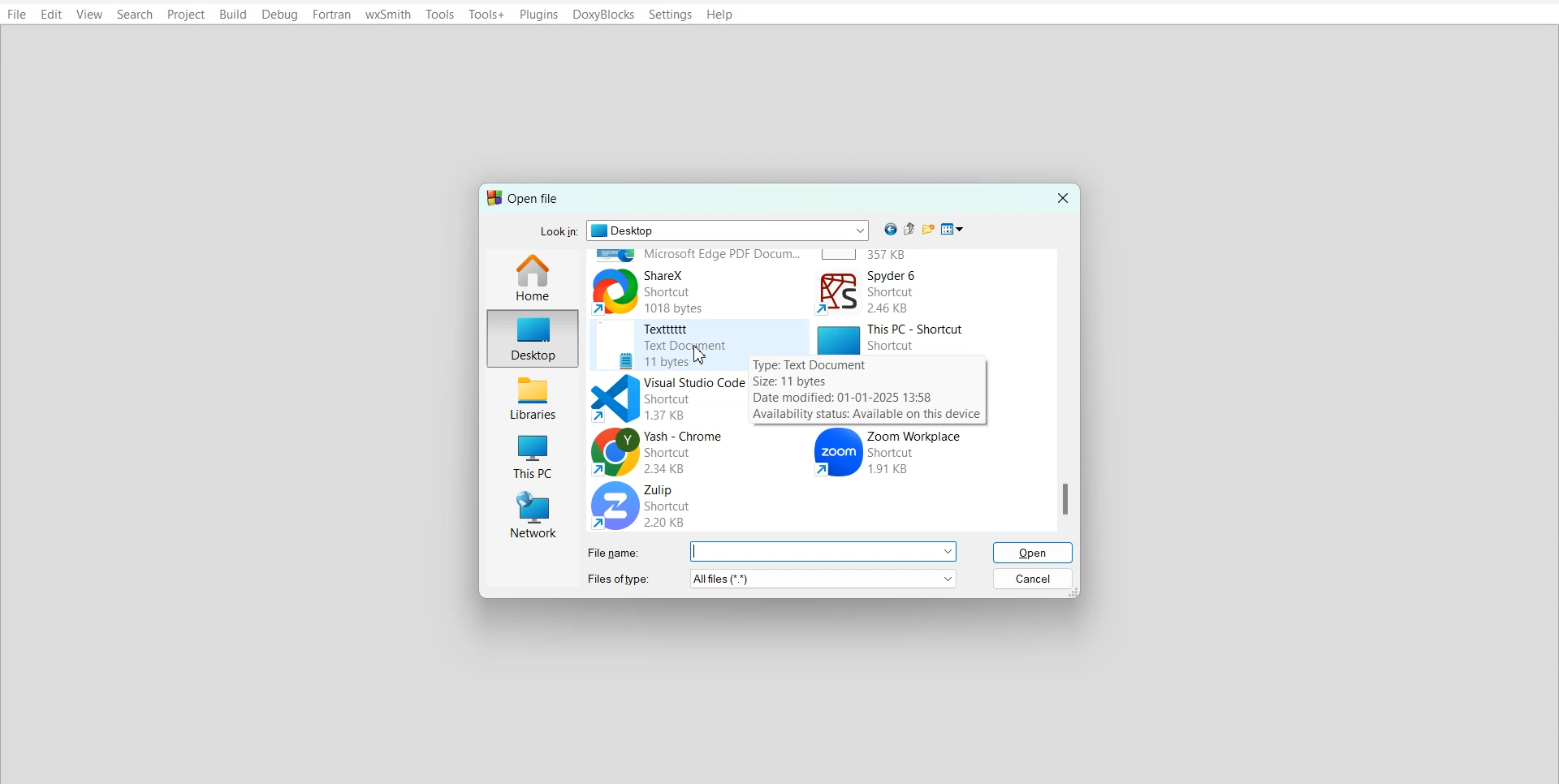  What do you see at coordinates (525, 515) in the screenshot?
I see `Network` at bounding box center [525, 515].